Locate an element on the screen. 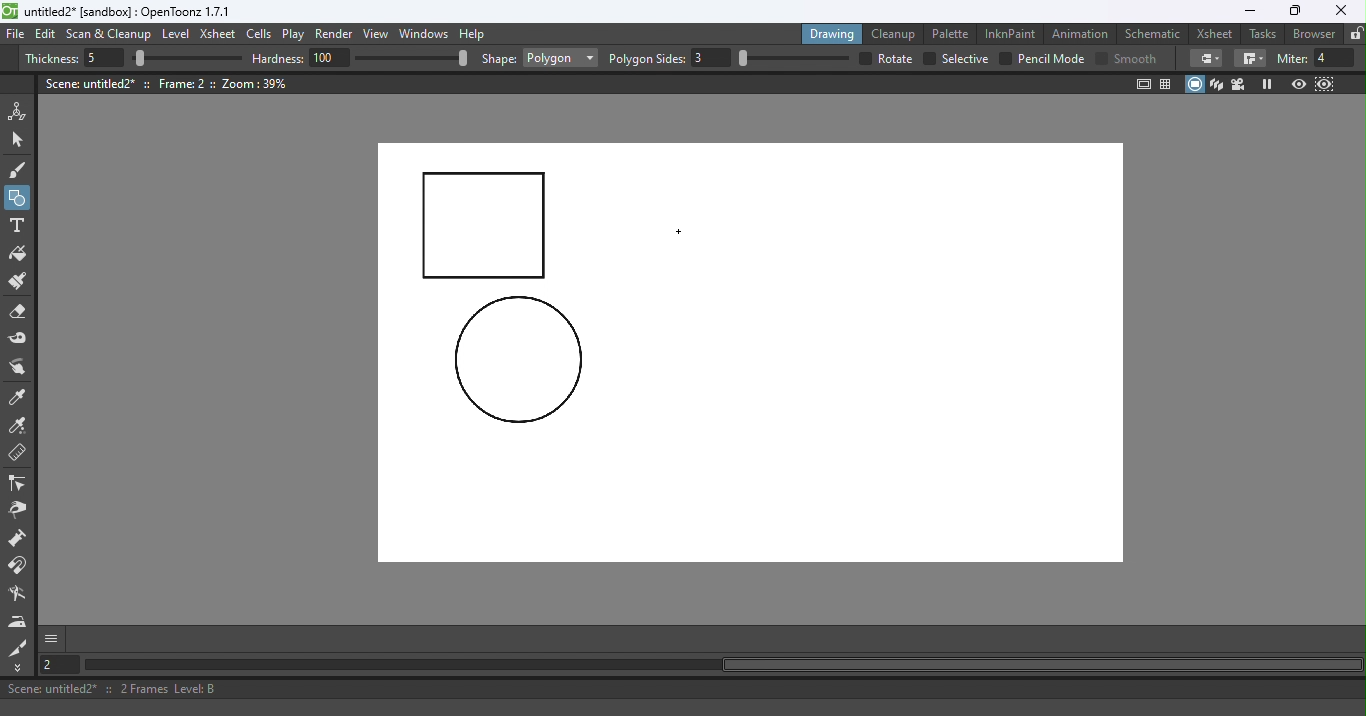  Animation is located at coordinates (1083, 32).